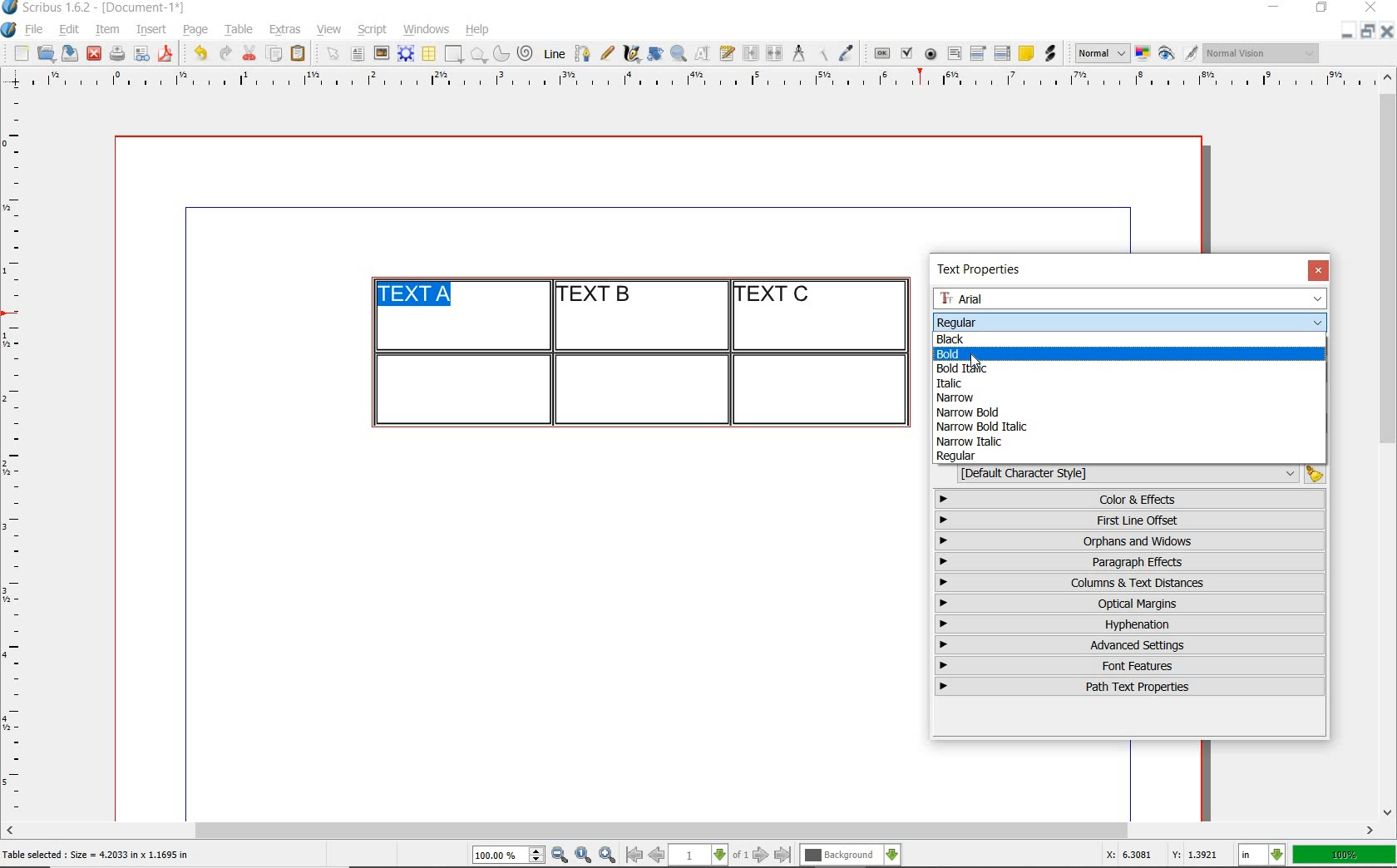 The image size is (1397, 868). What do you see at coordinates (151, 30) in the screenshot?
I see `insert` at bounding box center [151, 30].